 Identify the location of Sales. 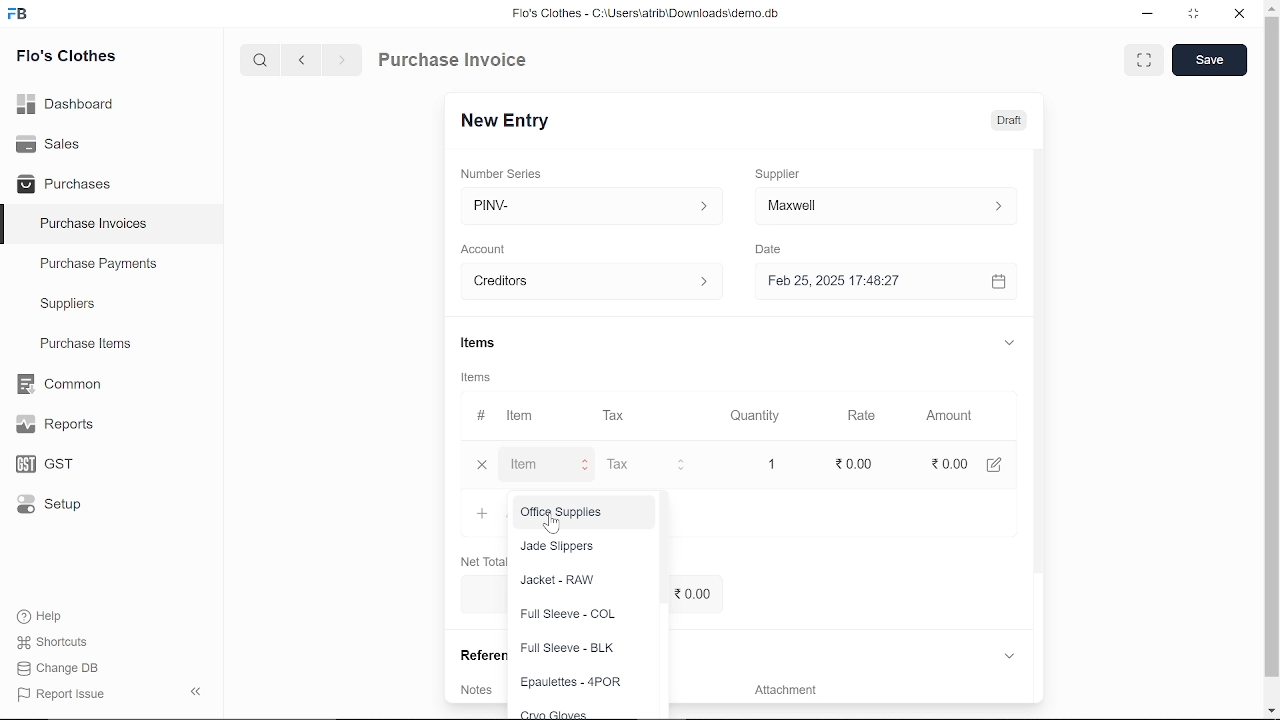
(48, 142).